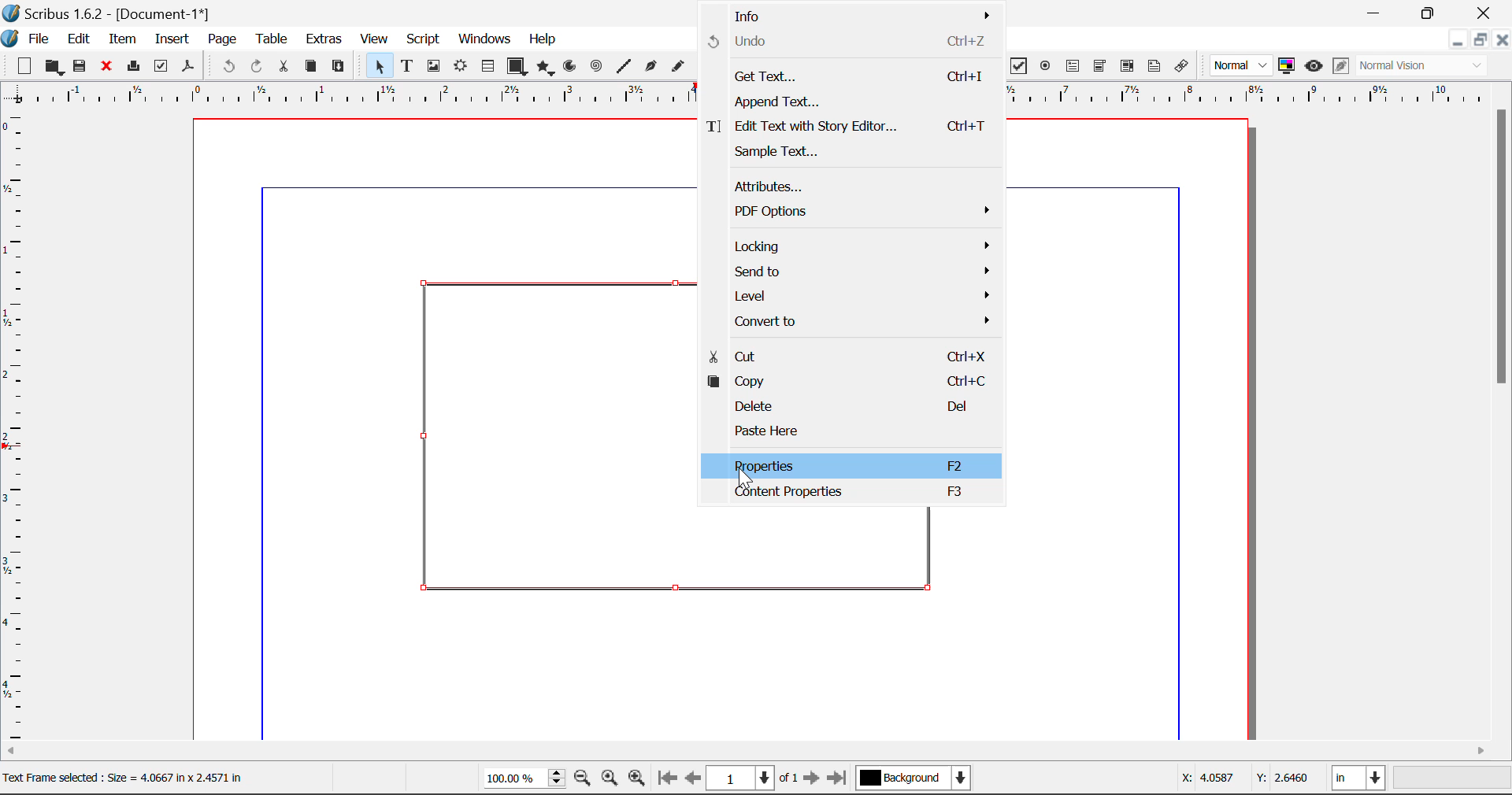 The width and height of the screenshot is (1512, 795). I want to click on Measurement Units, so click(1360, 780).